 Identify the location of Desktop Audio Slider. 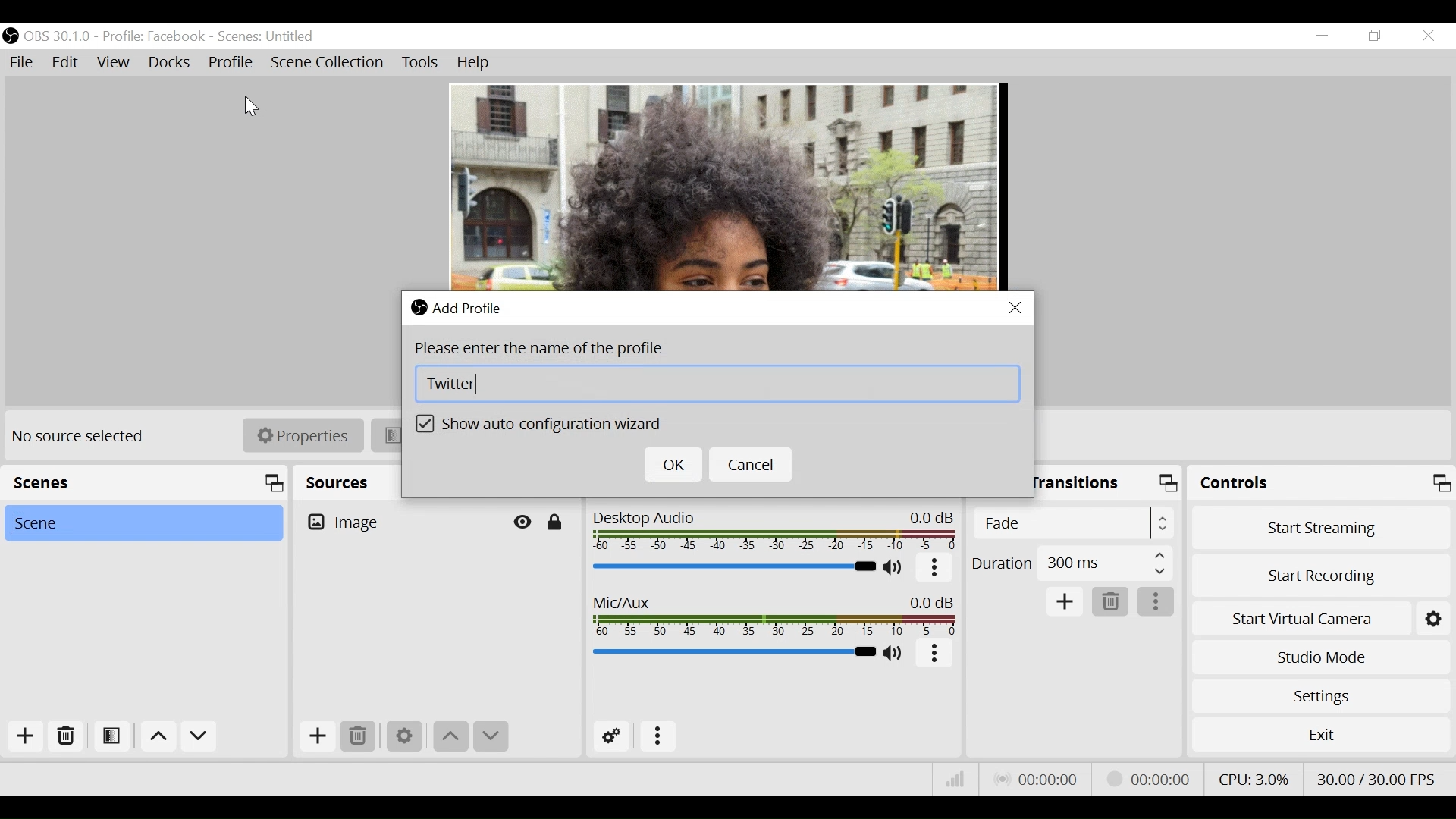
(734, 567).